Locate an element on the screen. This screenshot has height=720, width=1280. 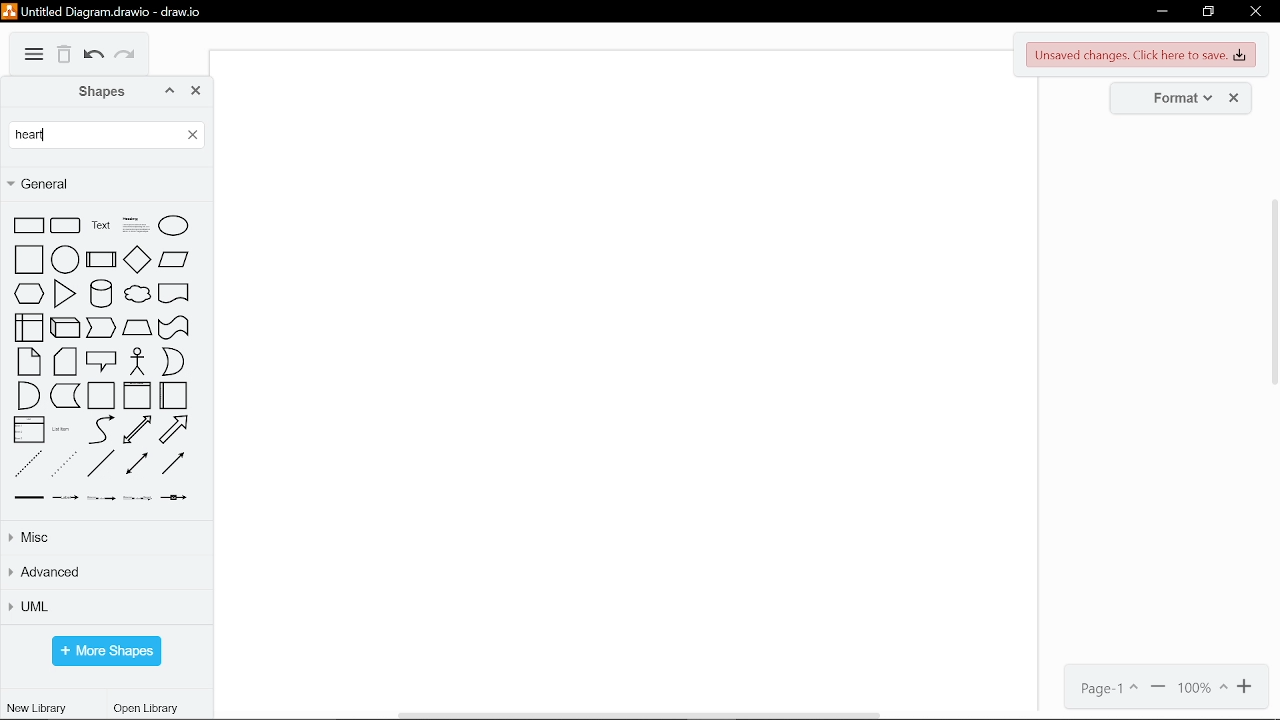
open library is located at coordinates (149, 709).